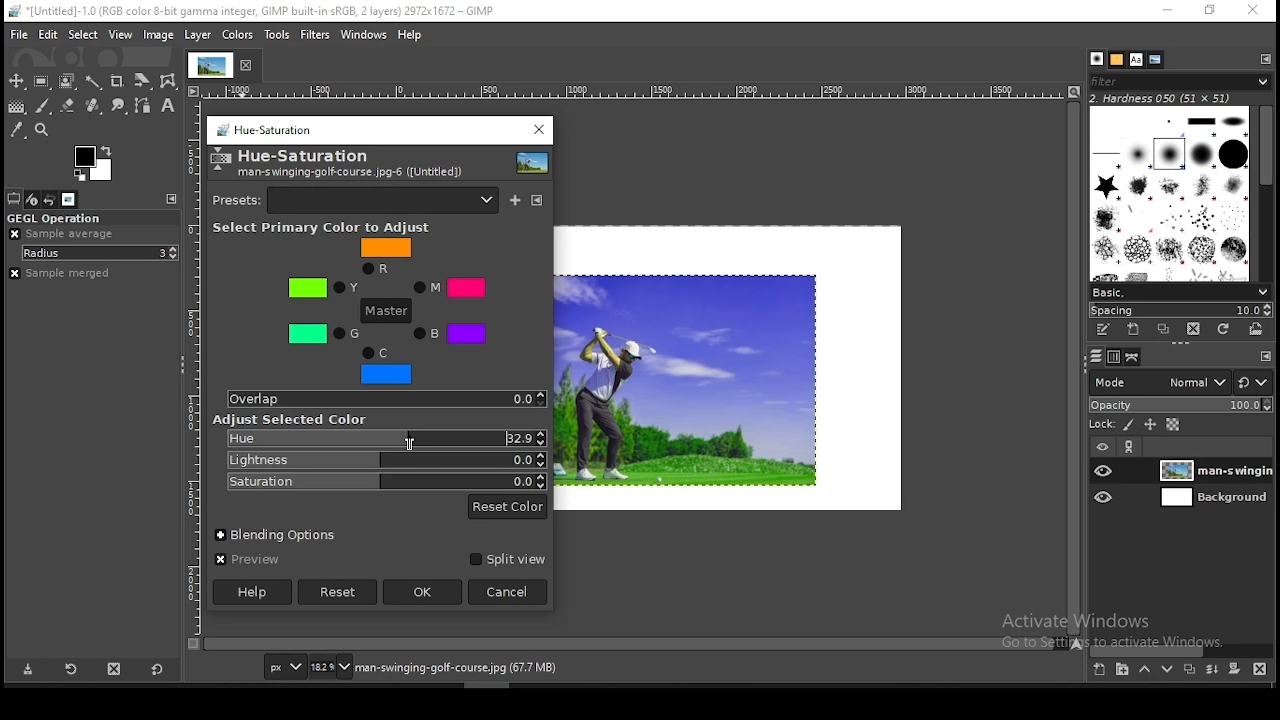 This screenshot has width=1280, height=720. What do you see at coordinates (100, 253) in the screenshot?
I see `radius` at bounding box center [100, 253].